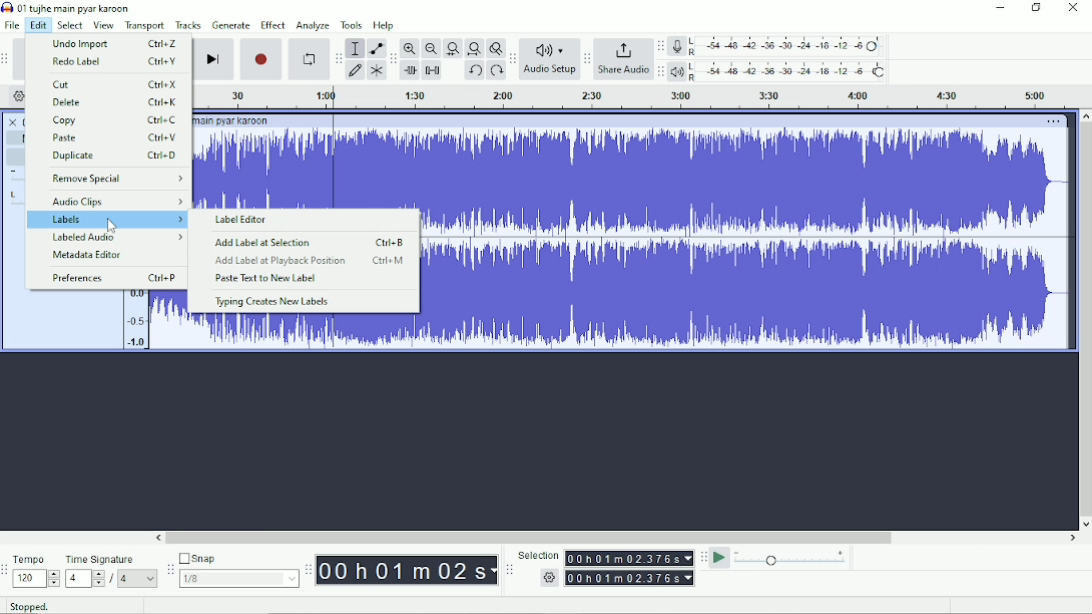 This screenshot has width=1092, height=614. I want to click on Envelope tool, so click(375, 48).